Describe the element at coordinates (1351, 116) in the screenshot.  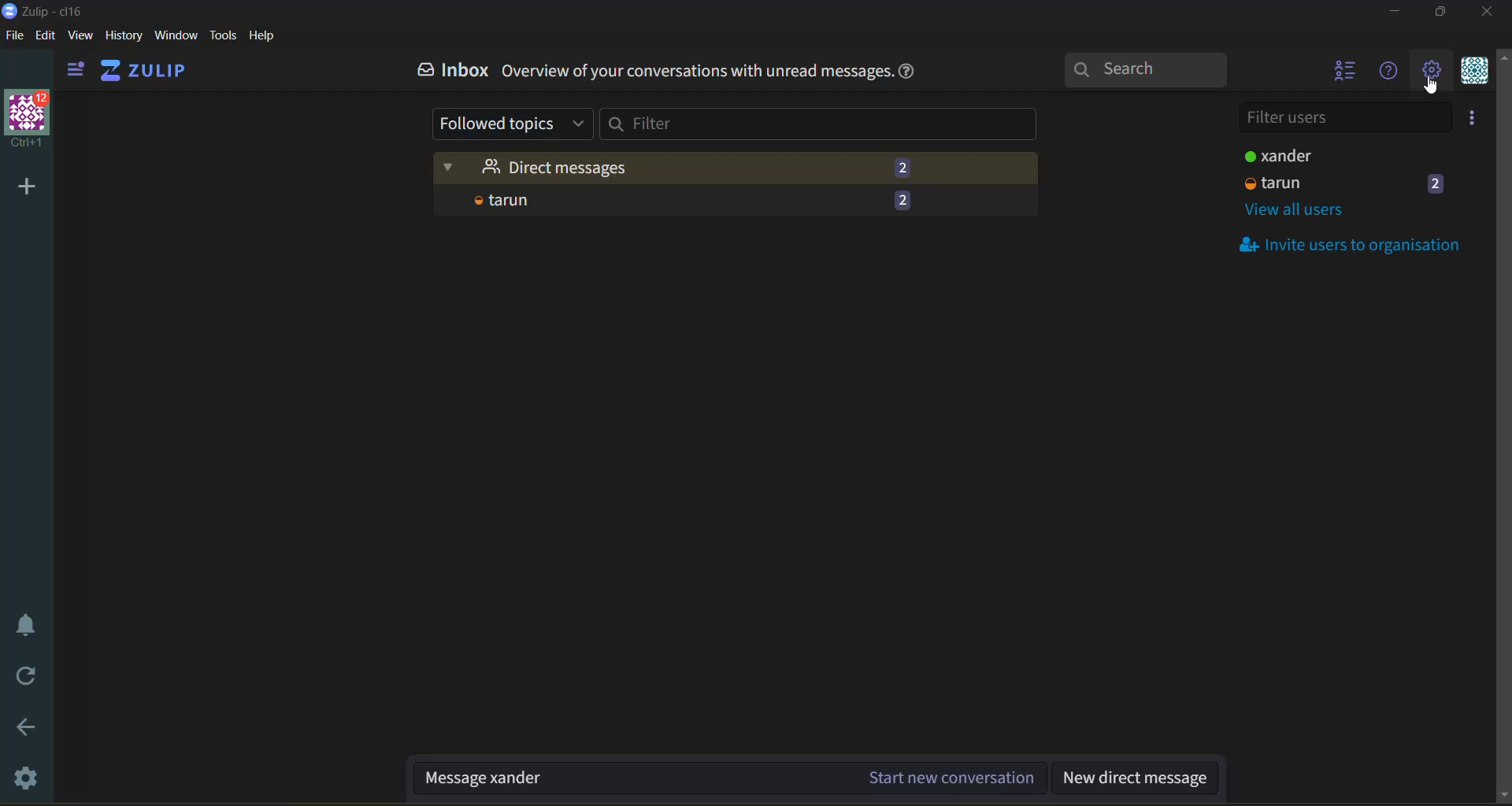
I see `filter users` at that location.